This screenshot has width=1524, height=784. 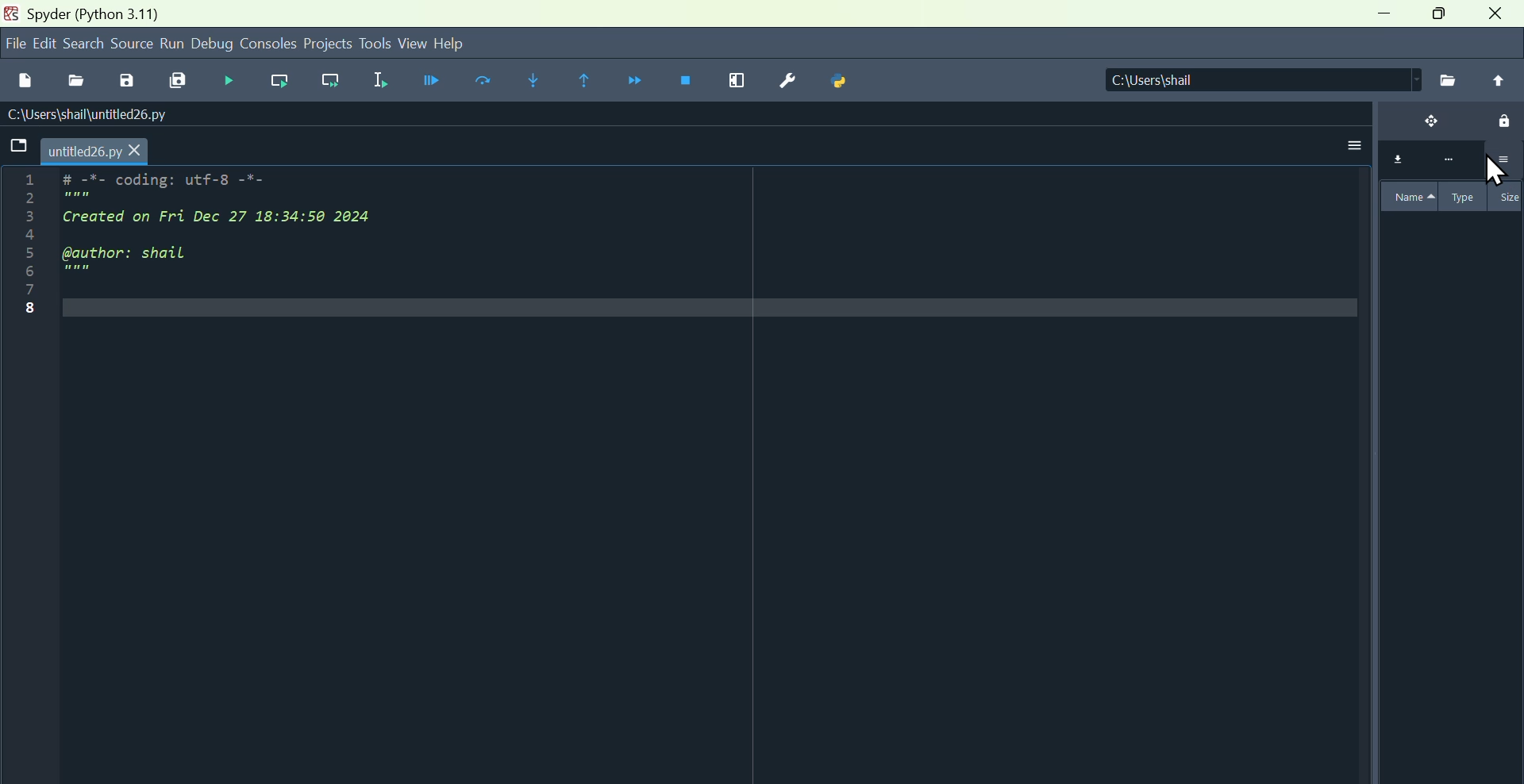 I want to click on file, so click(x=15, y=43).